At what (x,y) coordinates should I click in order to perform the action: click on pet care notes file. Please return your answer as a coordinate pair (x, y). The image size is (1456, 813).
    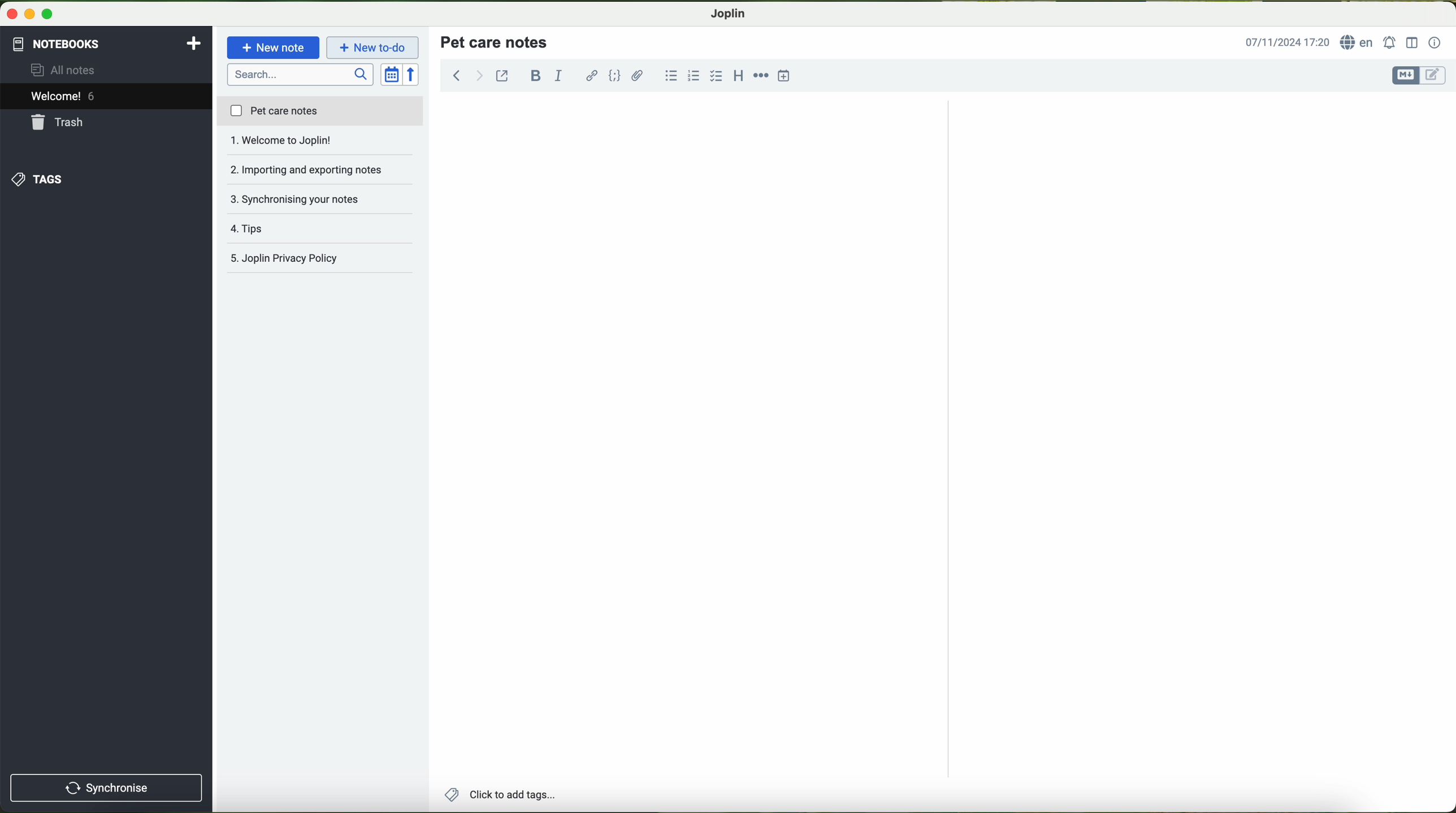
    Looking at the image, I should click on (319, 112).